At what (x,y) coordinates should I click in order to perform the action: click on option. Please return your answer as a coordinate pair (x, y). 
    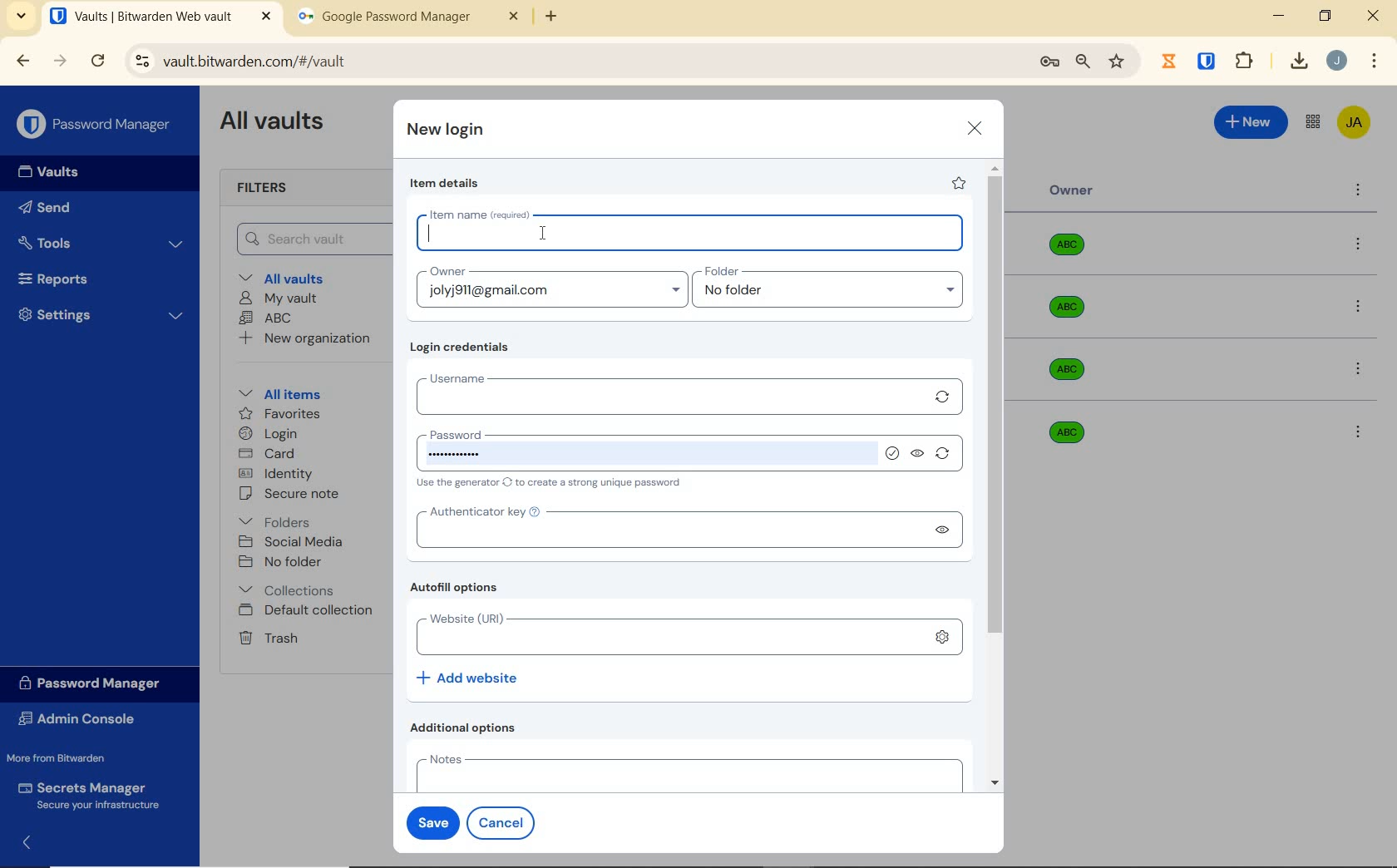
    Looking at the image, I should click on (1361, 371).